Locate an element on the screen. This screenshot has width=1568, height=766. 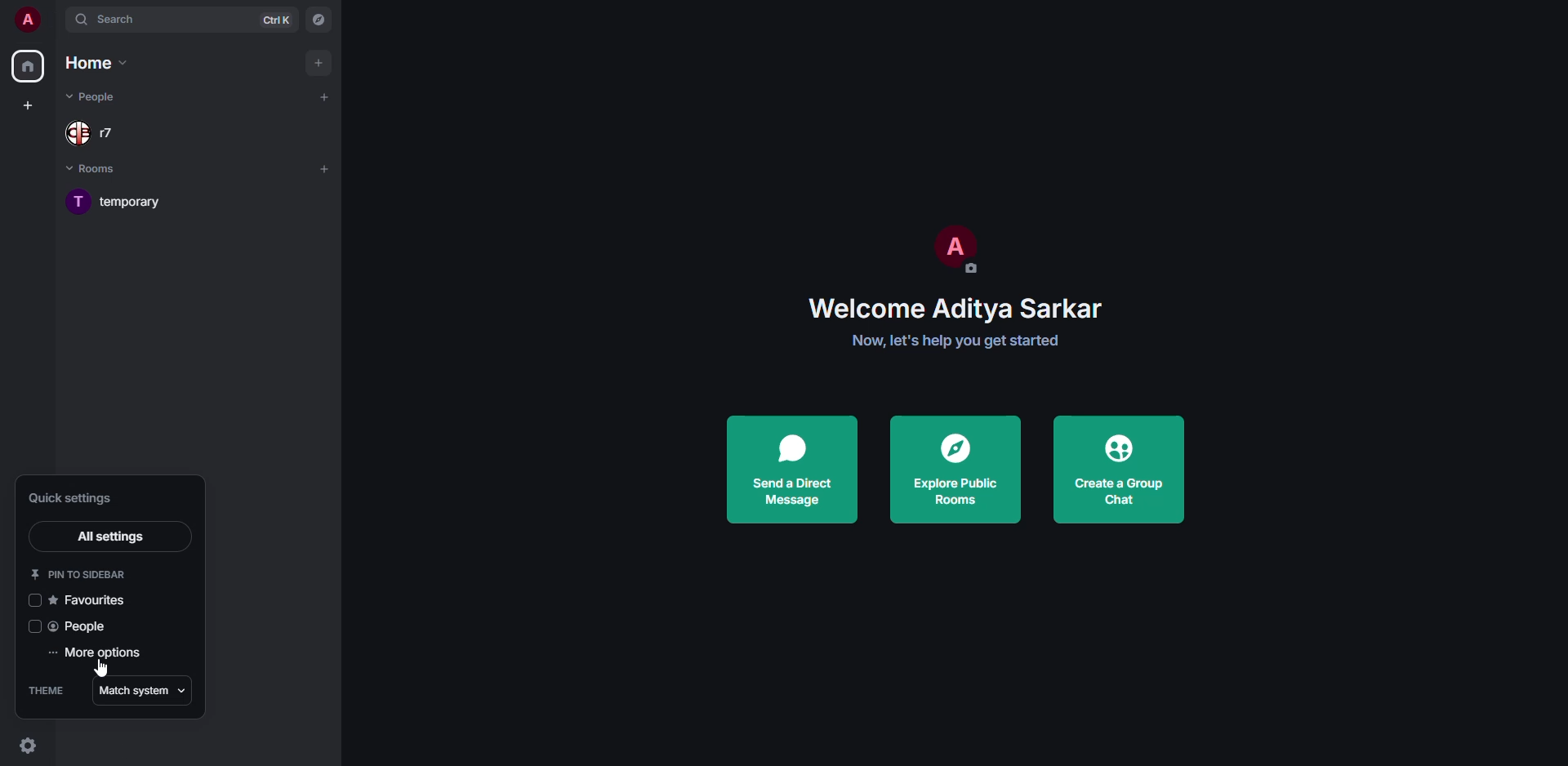
cursor is located at coordinates (101, 669).